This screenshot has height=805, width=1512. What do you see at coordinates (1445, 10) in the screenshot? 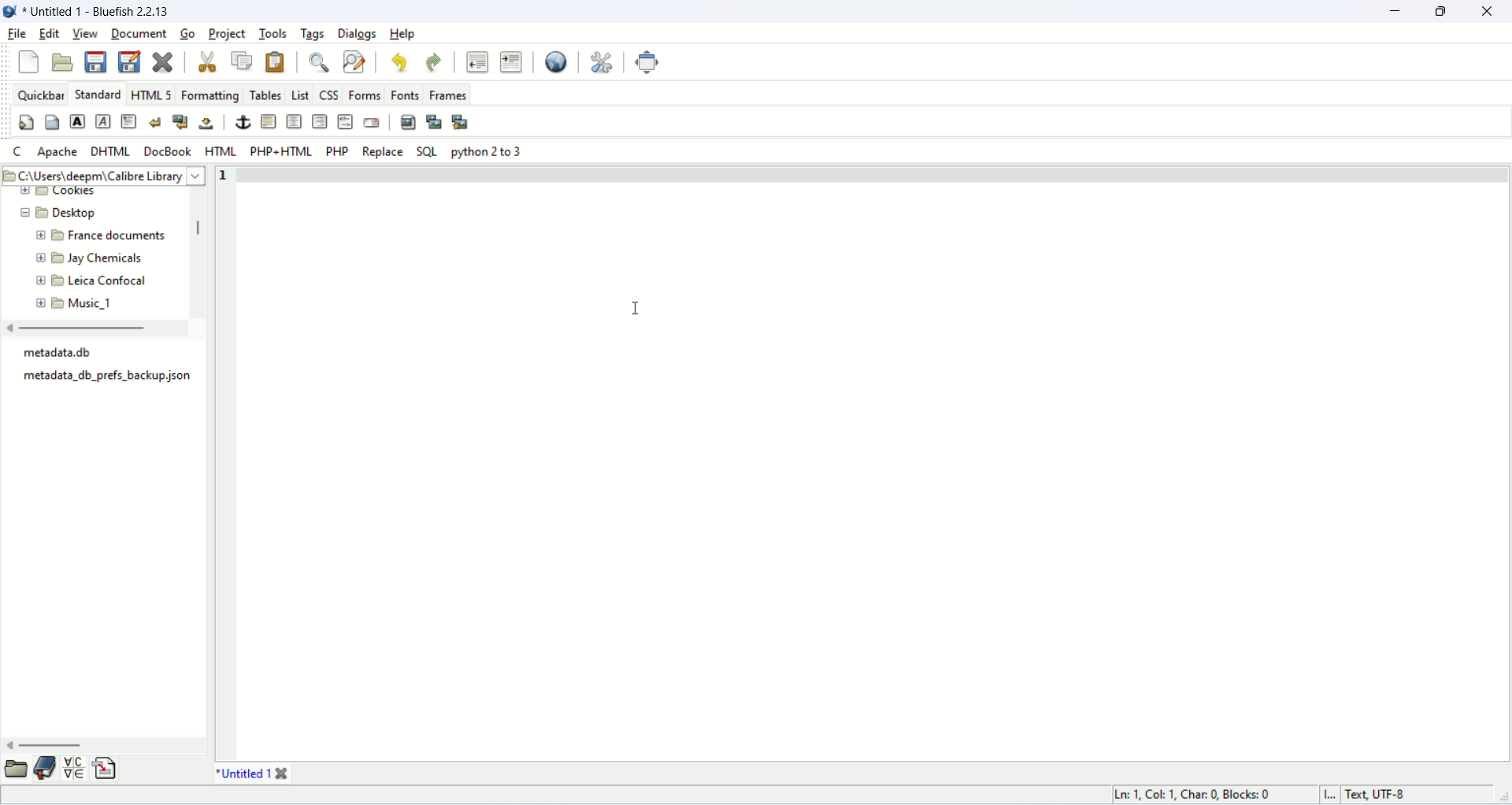
I see `maximize` at bounding box center [1445, 10].